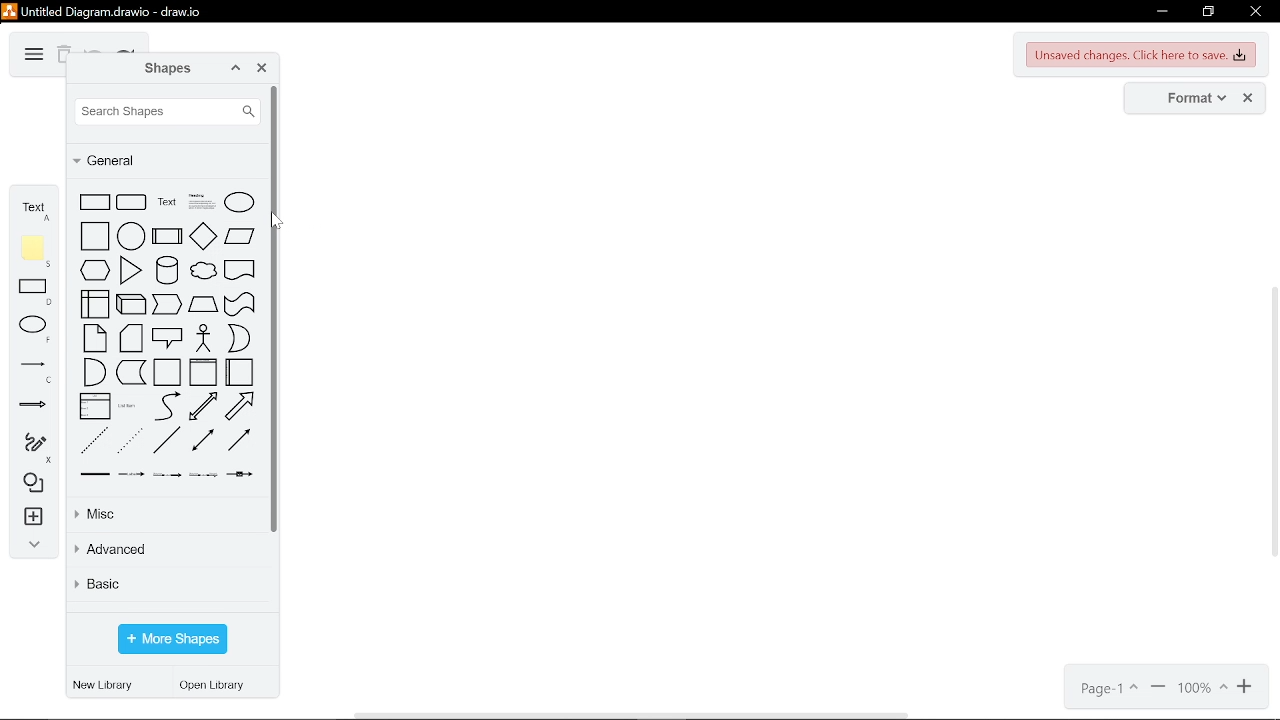  What do you see at coordinates (167, 270) in the screenshot?
I see `cylinder` at bounding box center [167, 270].